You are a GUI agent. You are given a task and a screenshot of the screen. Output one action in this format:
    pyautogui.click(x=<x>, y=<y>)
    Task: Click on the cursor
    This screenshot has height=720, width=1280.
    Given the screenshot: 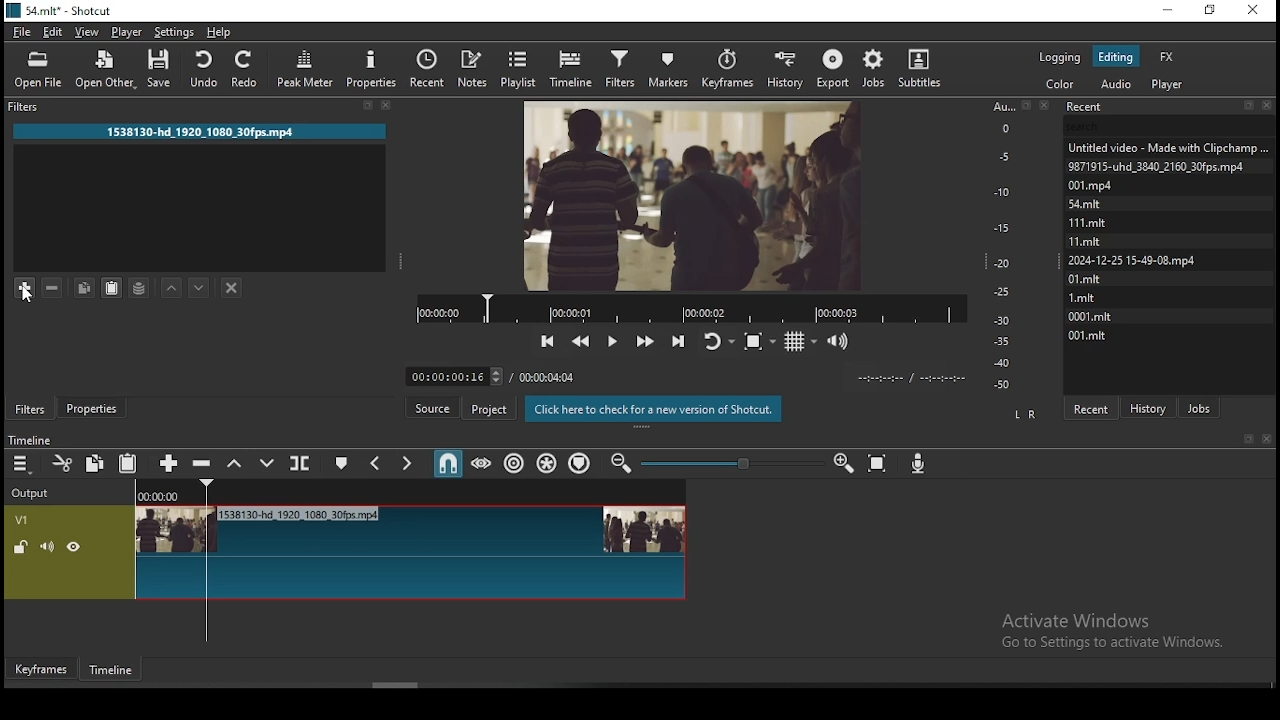 What is the action you would take?
    pyautogui.click(x=34, y=299)
    